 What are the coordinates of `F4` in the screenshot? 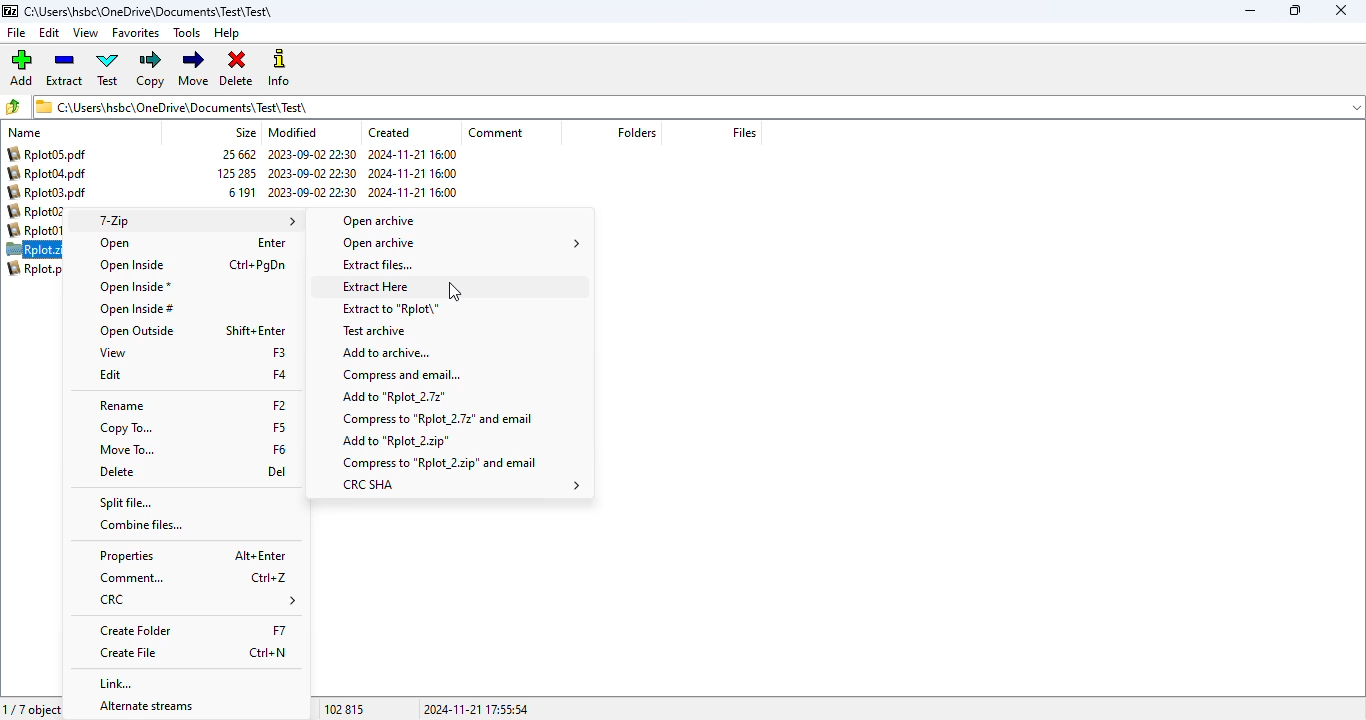 It's located at (280, 374).